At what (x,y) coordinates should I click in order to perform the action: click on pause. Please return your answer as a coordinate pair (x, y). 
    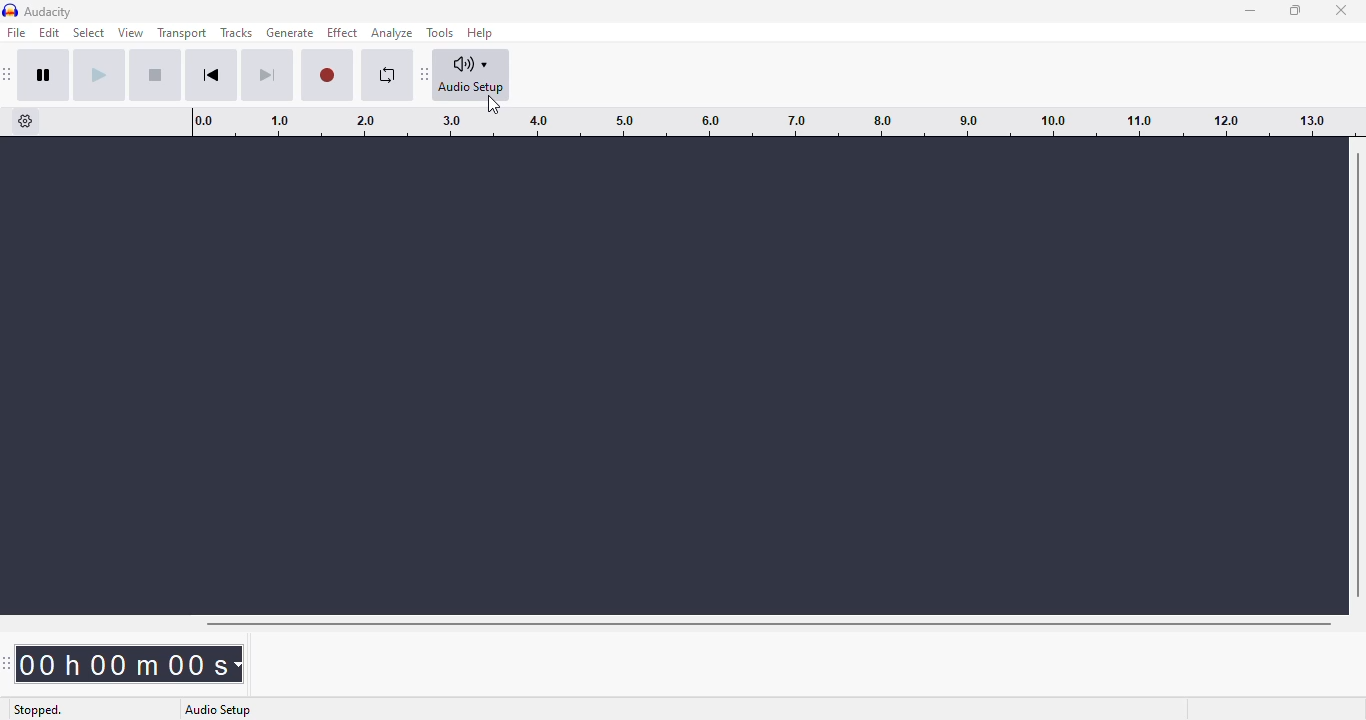
    Looking at the image, I should click on (44, 75).